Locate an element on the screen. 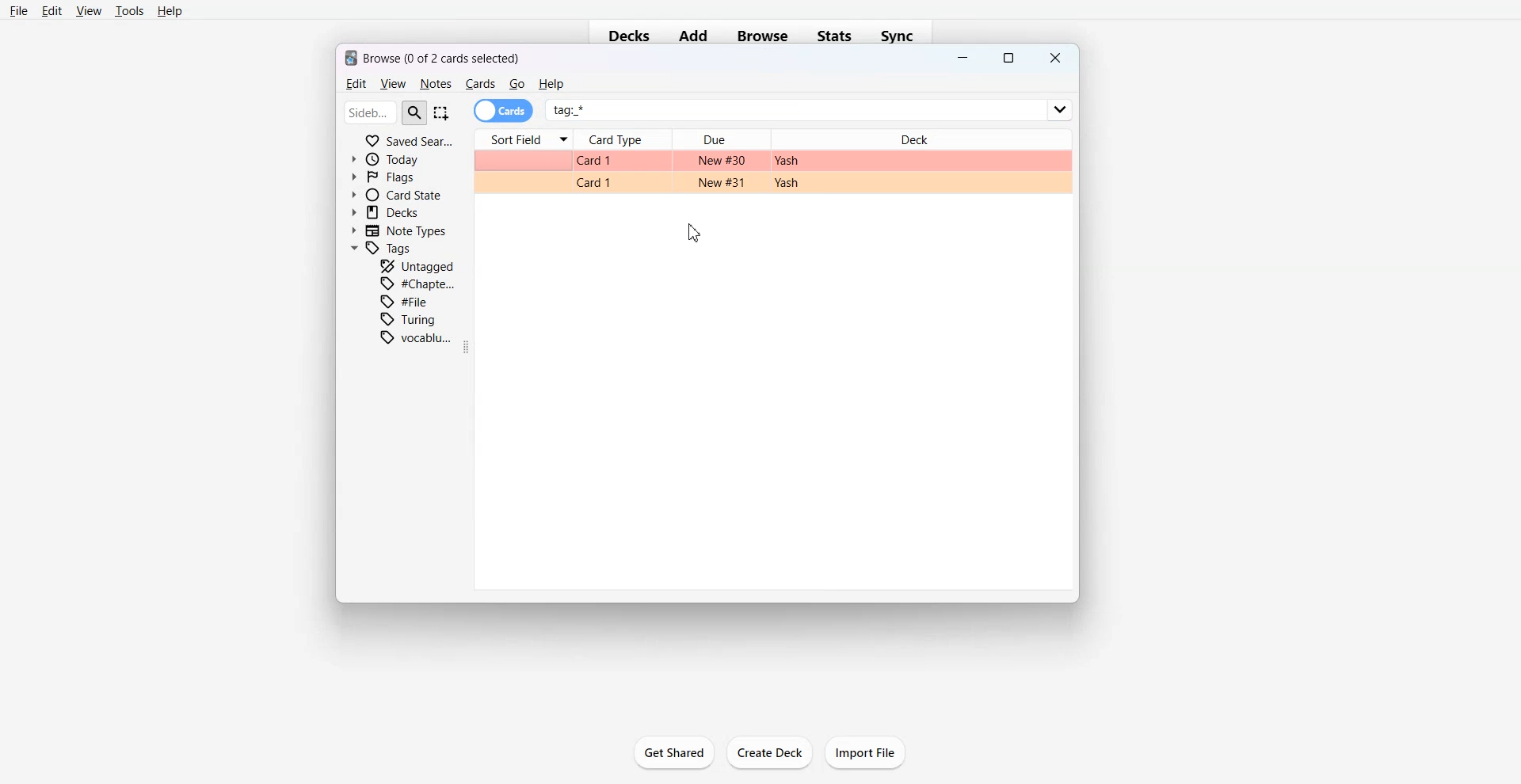  Browse is located at coordinates (762, 36).